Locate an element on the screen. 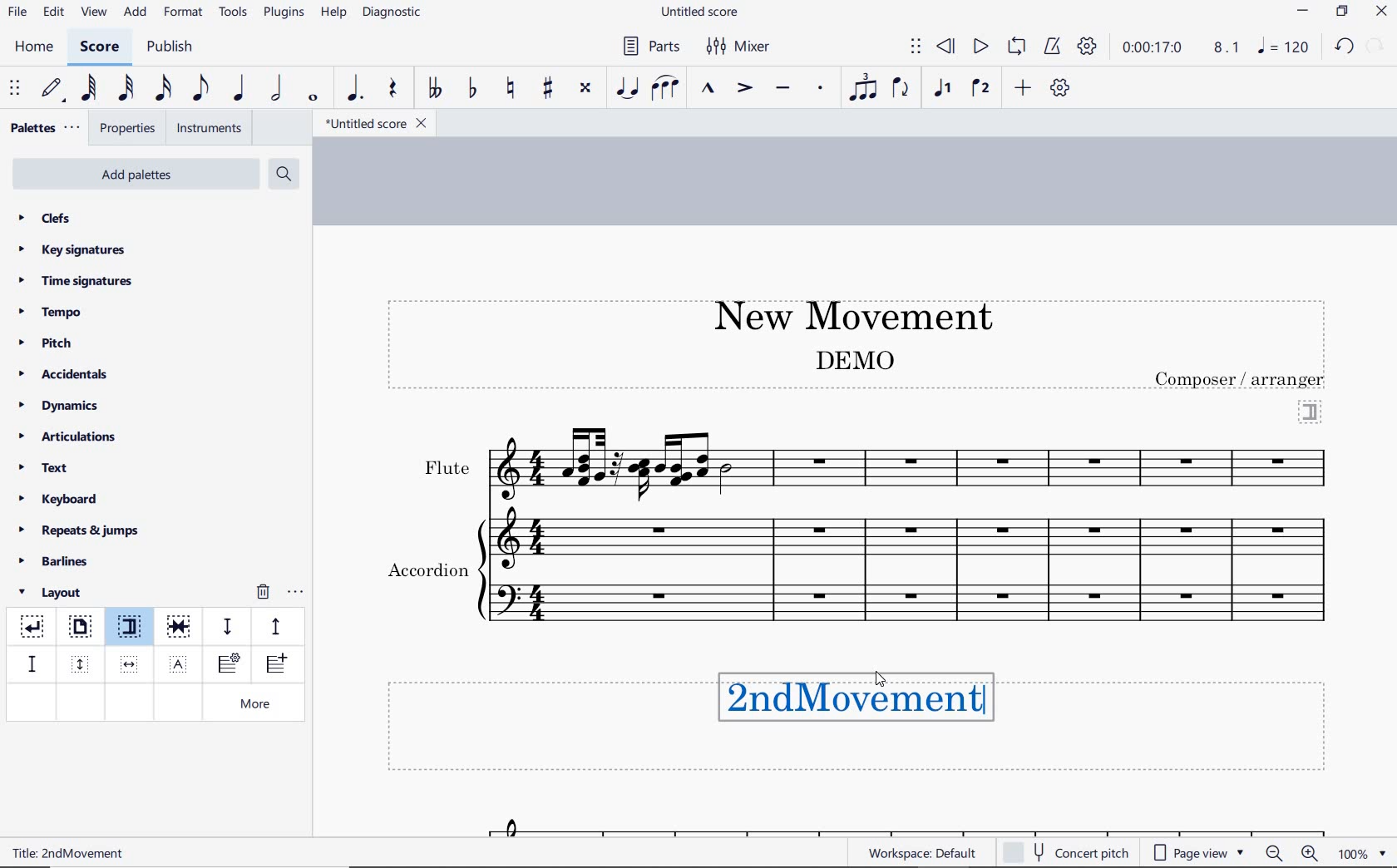 The image size is (1397, 868). minimize is located at coordinates (1303, 12).